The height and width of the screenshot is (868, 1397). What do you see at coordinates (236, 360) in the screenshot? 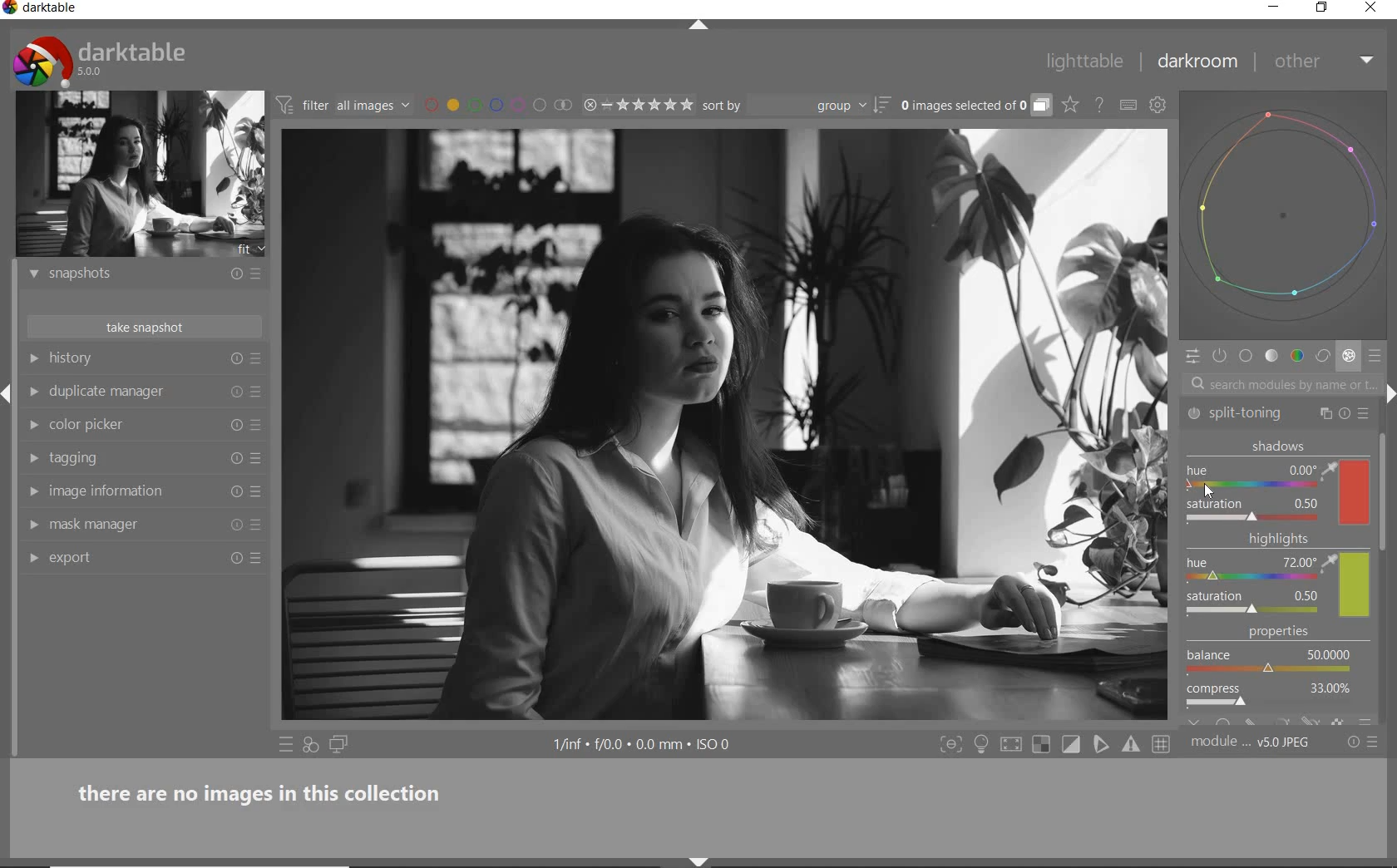
I see `reset` at bounding box center [236, 360].